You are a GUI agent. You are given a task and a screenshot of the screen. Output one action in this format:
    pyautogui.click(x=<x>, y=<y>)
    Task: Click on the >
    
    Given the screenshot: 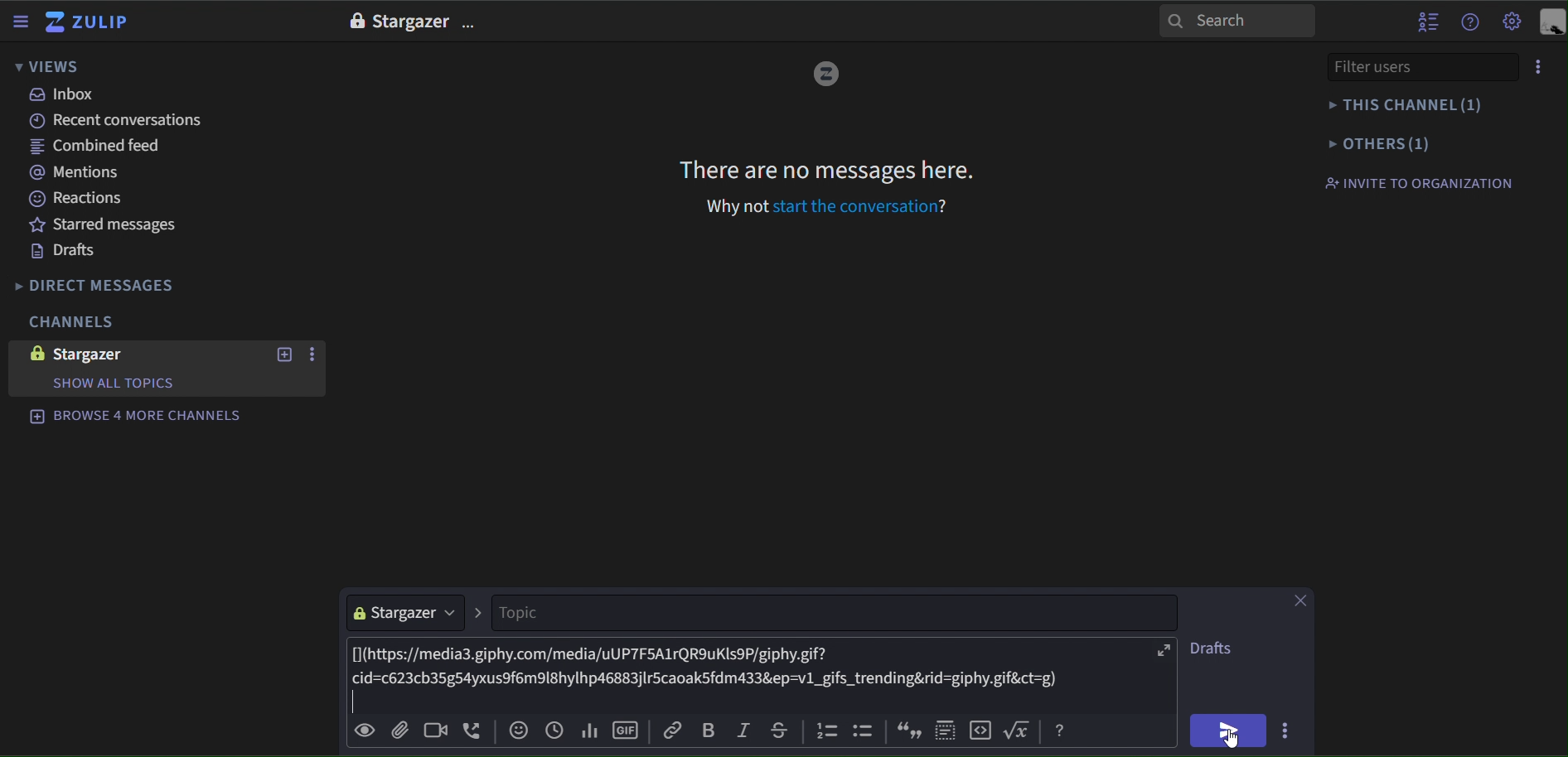 What is the action you would take?
    pyautogui.click(x=479, y=614)
    